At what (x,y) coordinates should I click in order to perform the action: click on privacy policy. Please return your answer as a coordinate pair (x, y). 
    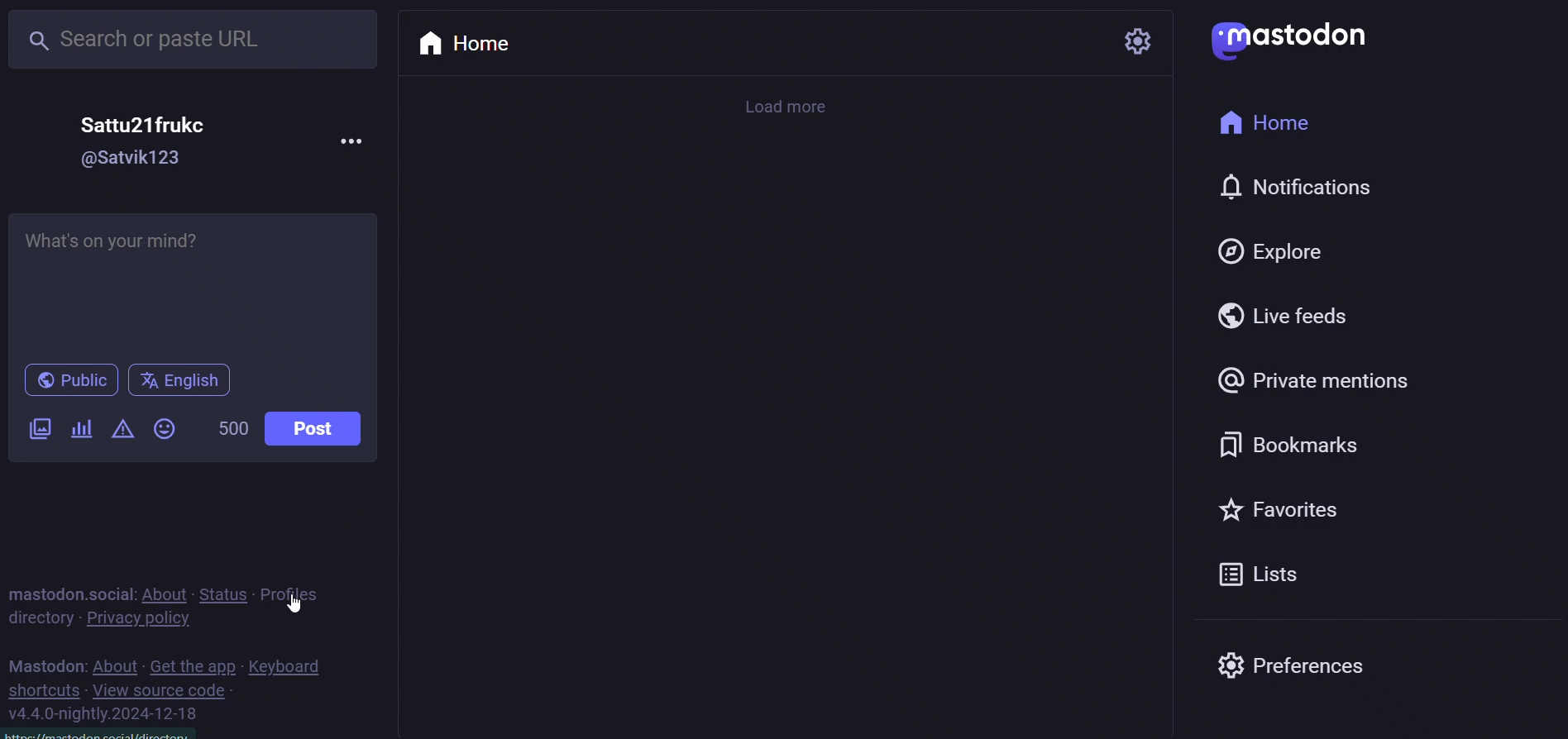
    Looking at the image, I should click on (140, 620).